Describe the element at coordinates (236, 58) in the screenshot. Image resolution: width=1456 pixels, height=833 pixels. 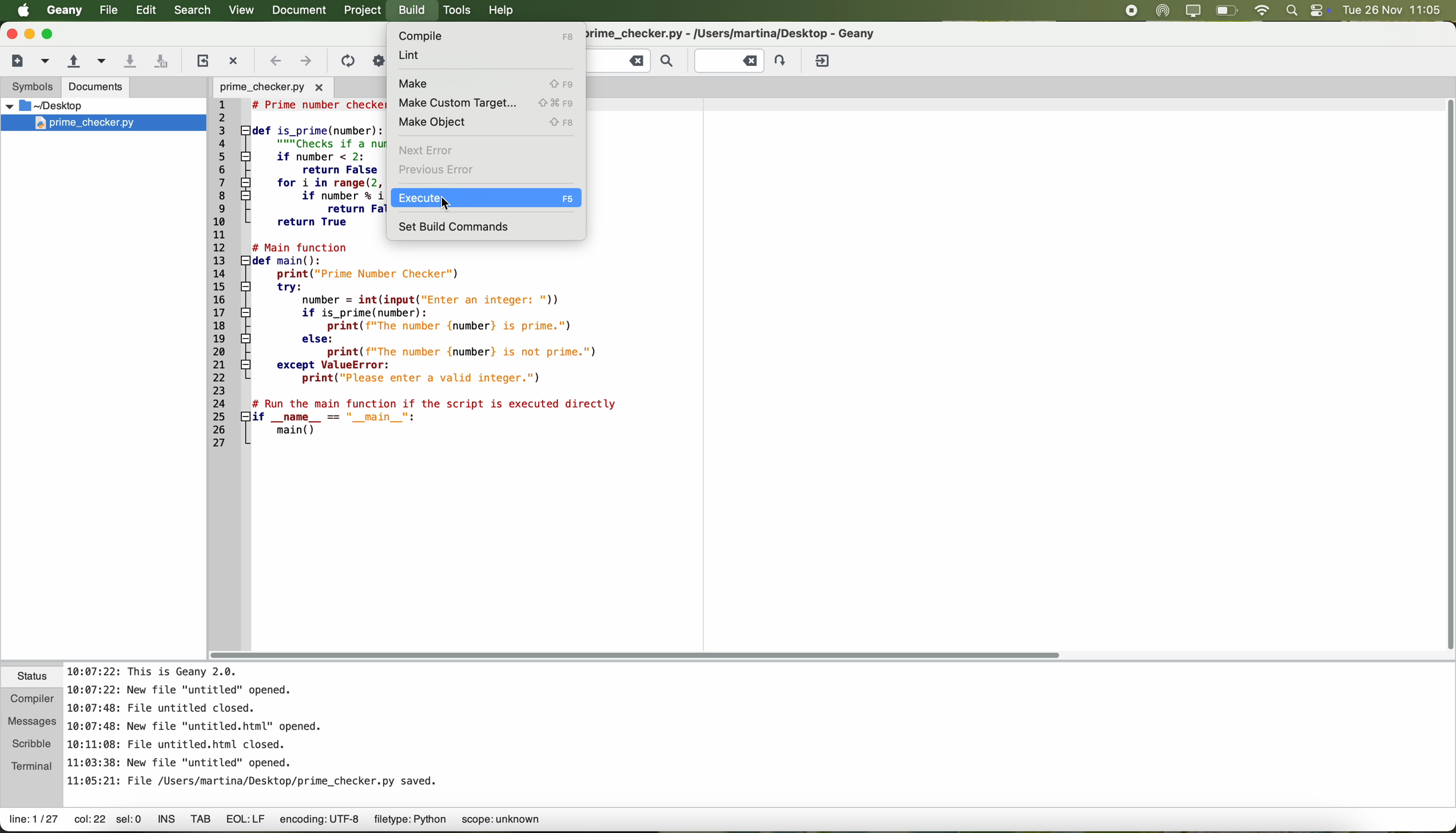
I see `close the current file` at that location.